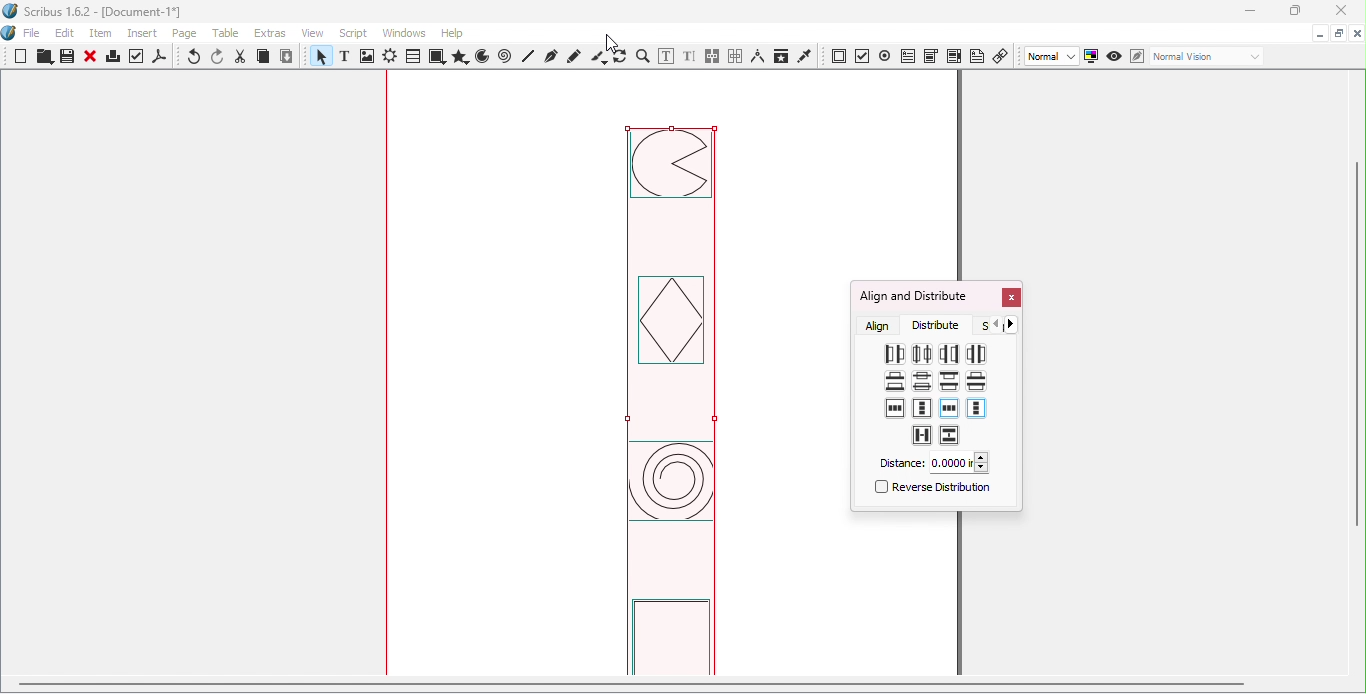 The width and height of the screenshot is (1366, 694). Describe the element at coordinates (996, 325) in the screenshot. I see `Go back` at that location.